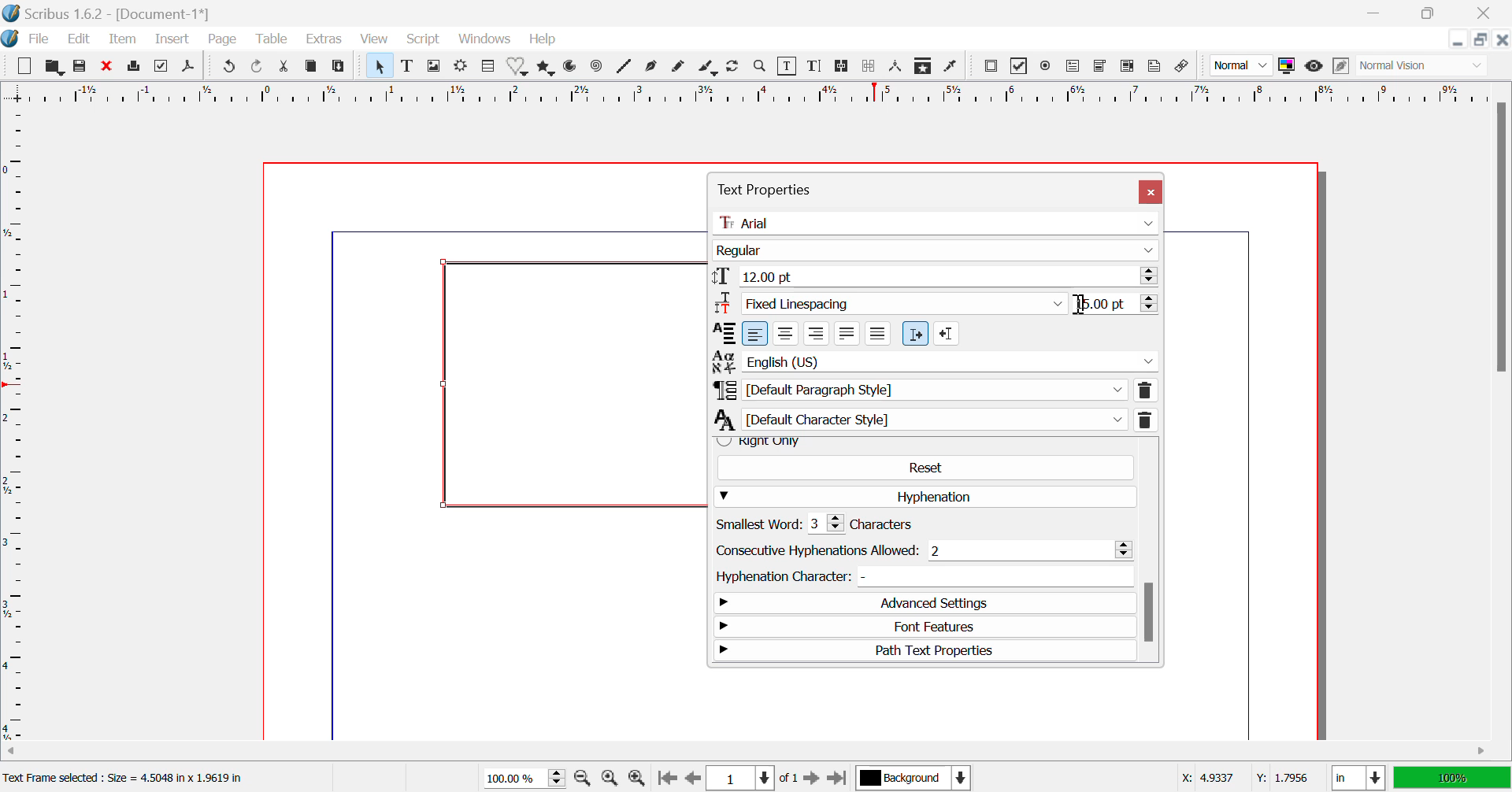  Describe the element at coordinates (595, 69) in the screenshot. I see `Spiral` at that location.